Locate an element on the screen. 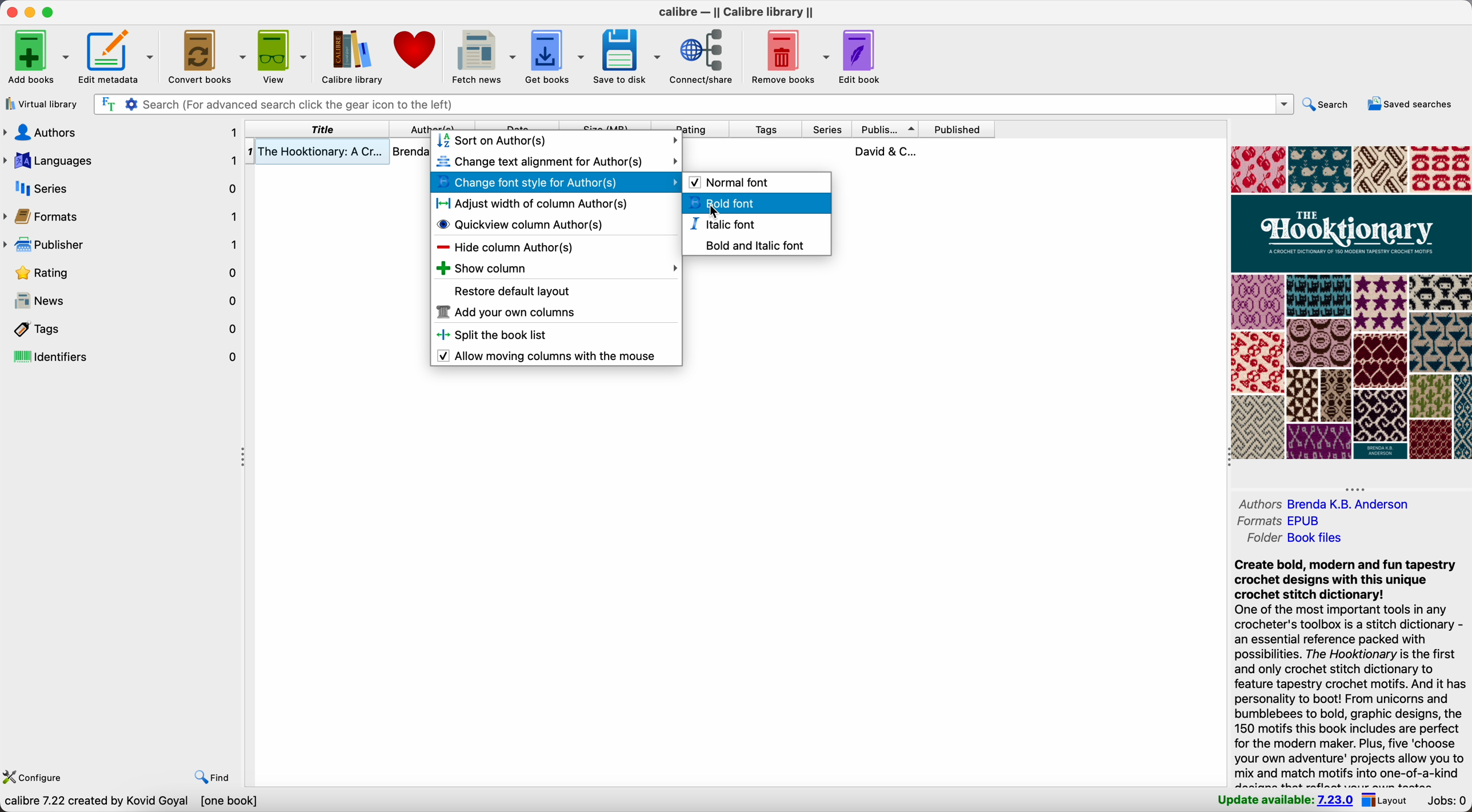 This screenshot has height=812, width=1472. title is located at coordinates (318, 129).